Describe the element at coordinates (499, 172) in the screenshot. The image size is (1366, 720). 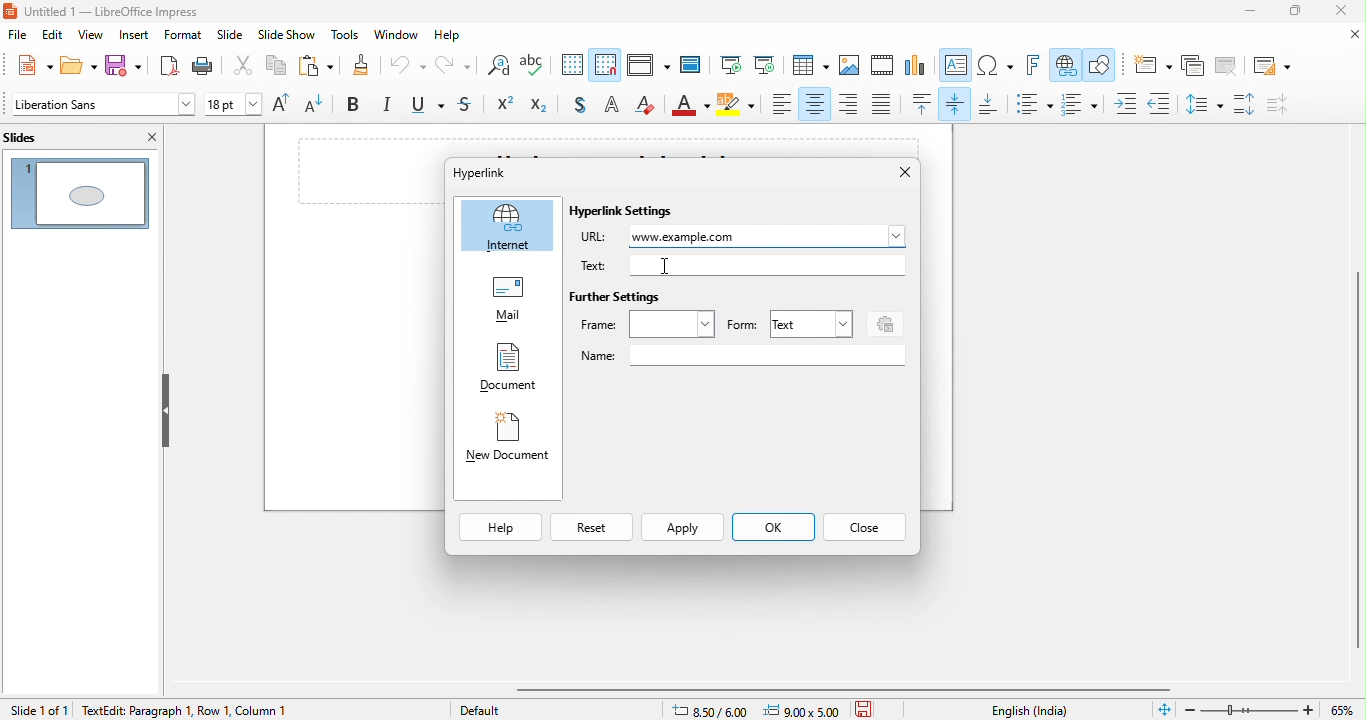
I see `hyperlink` at that location.